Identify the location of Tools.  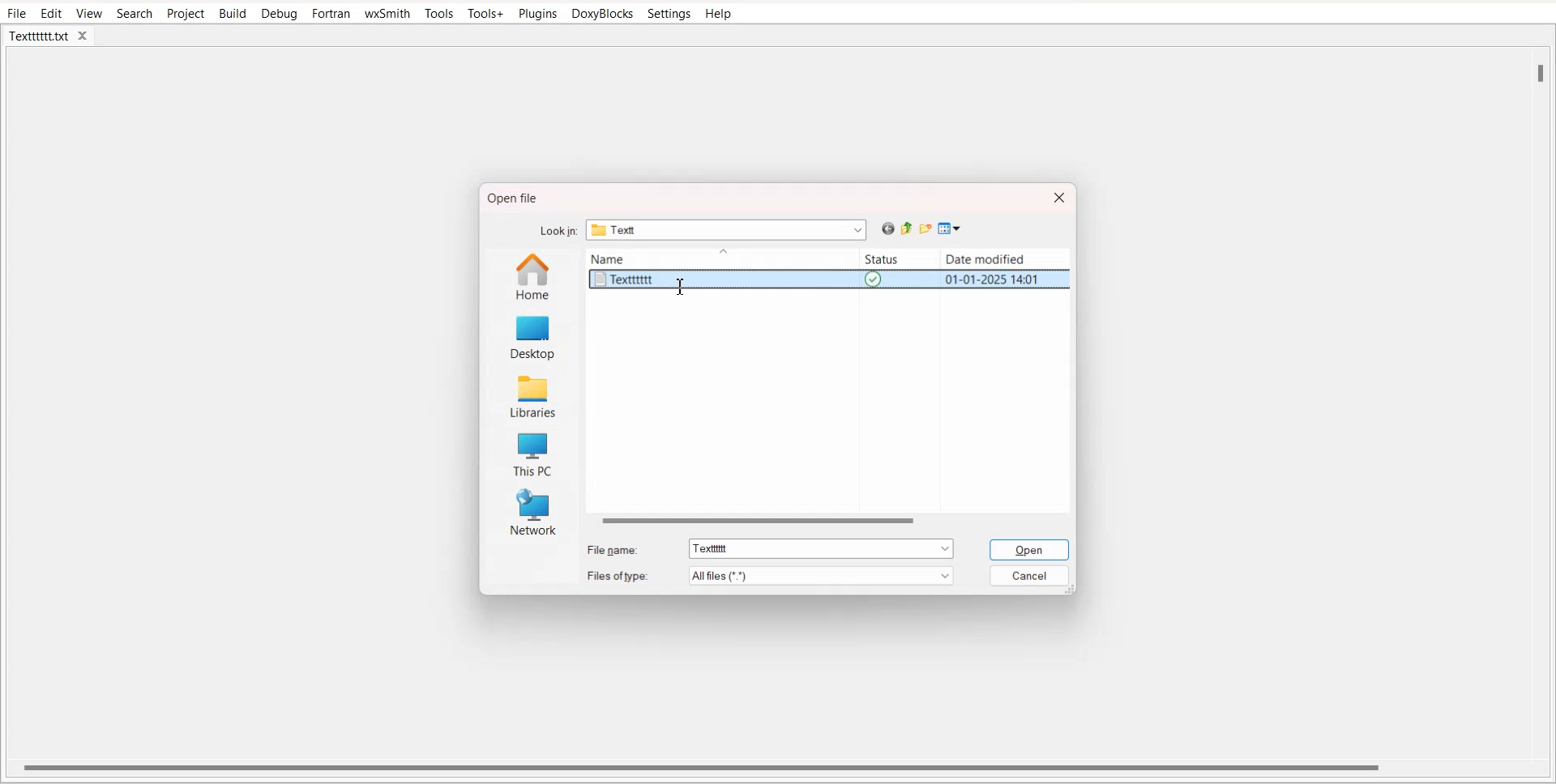
(439, 13).